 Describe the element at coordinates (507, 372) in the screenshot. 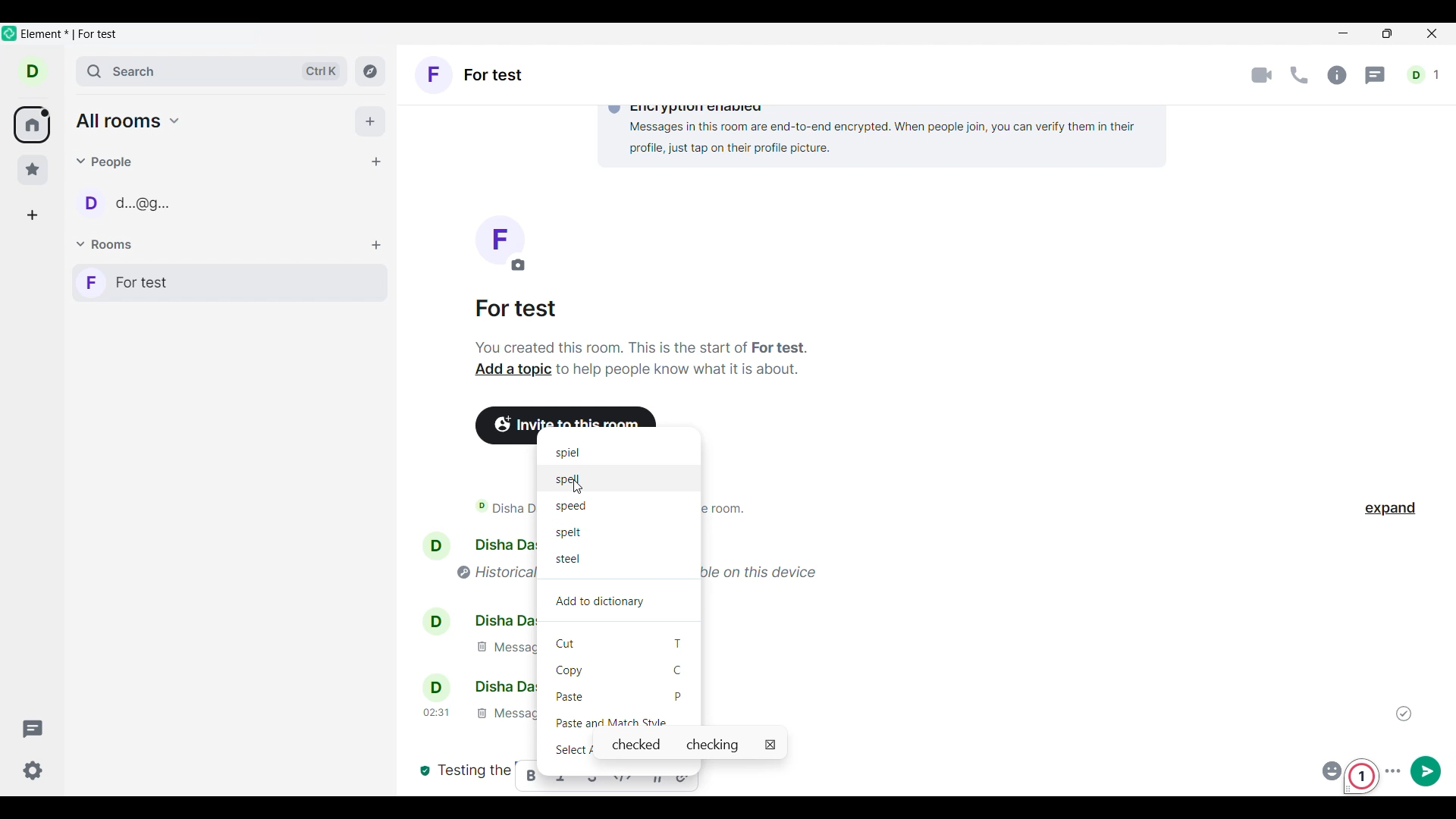

I see `add a topic` at that location.